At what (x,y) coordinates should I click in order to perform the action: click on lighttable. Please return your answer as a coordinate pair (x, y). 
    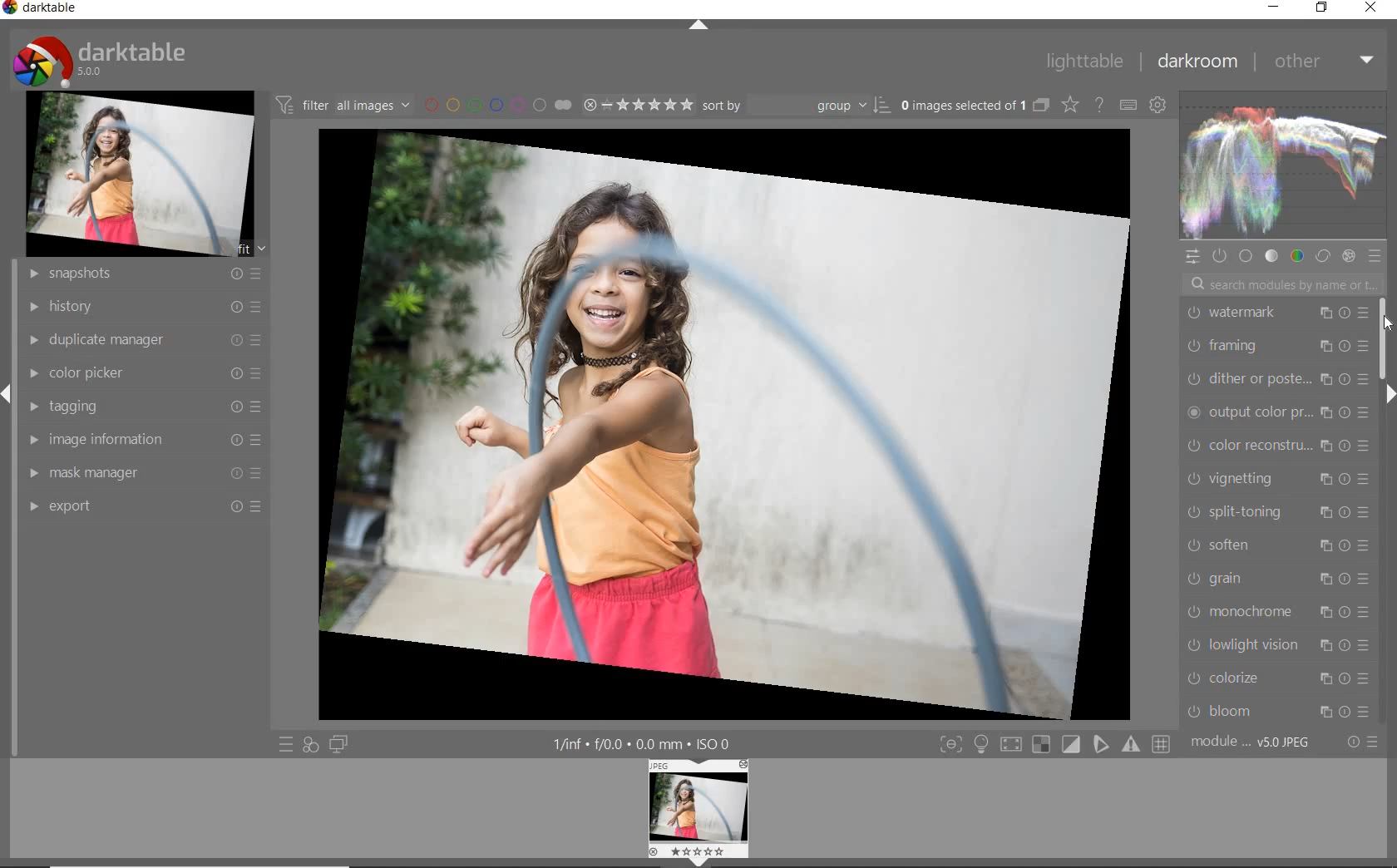
    Looking at the image, I should click on (1084, 62).